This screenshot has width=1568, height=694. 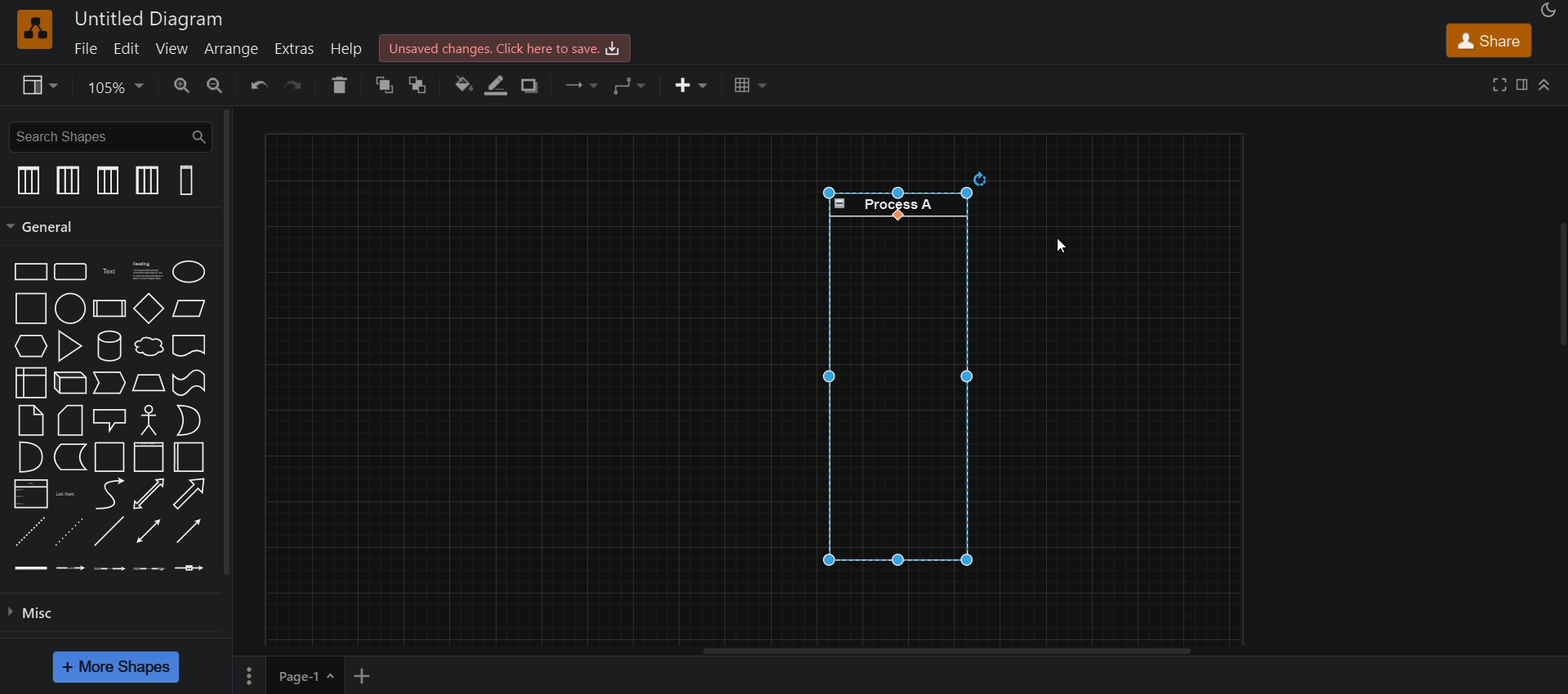 I want to click on bidirectional arrow, so click(x=148, y=495).